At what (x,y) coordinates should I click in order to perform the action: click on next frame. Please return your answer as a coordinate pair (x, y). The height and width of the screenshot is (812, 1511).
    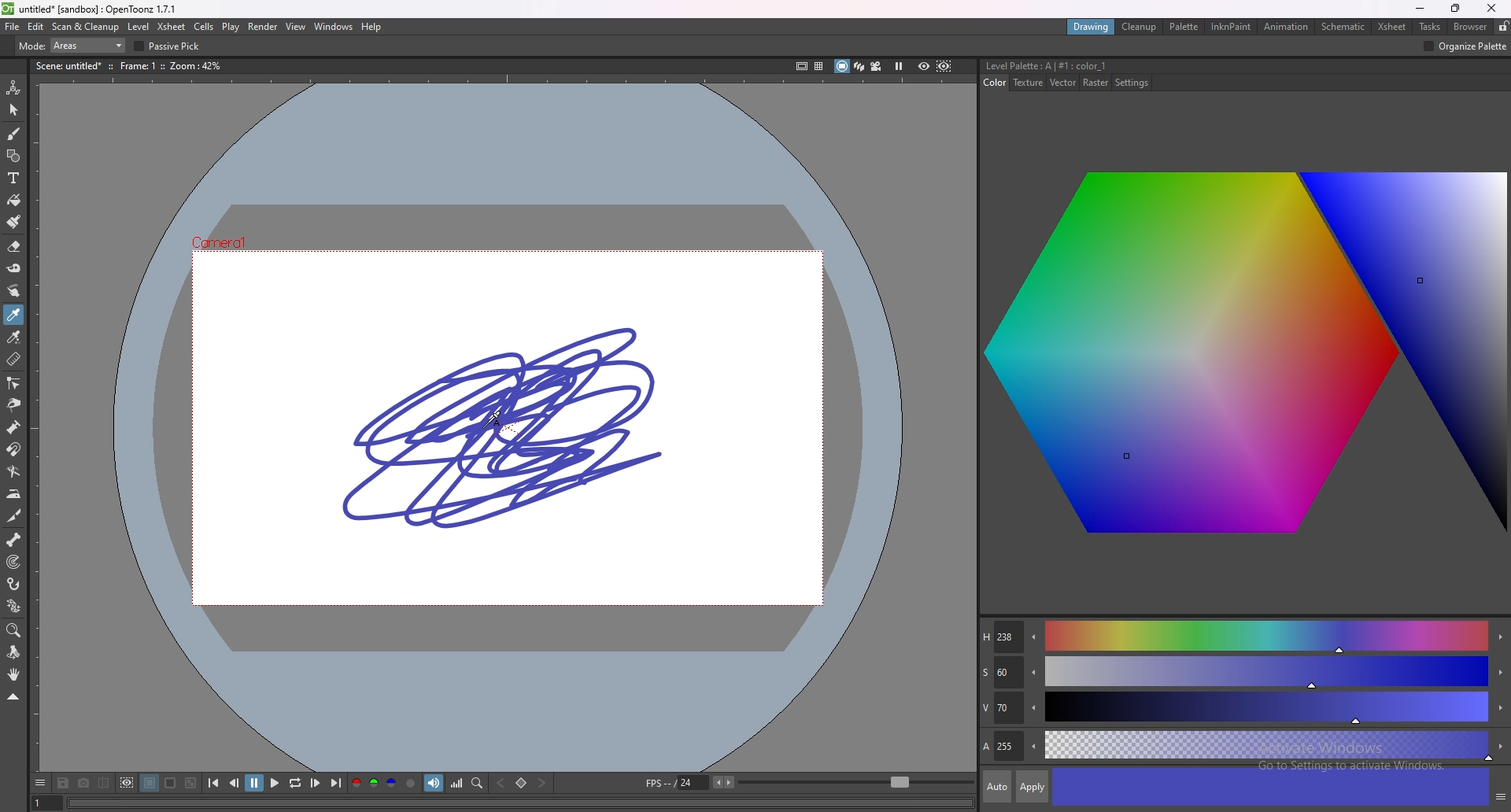
    Looking at the image, I should click on (315, 782).